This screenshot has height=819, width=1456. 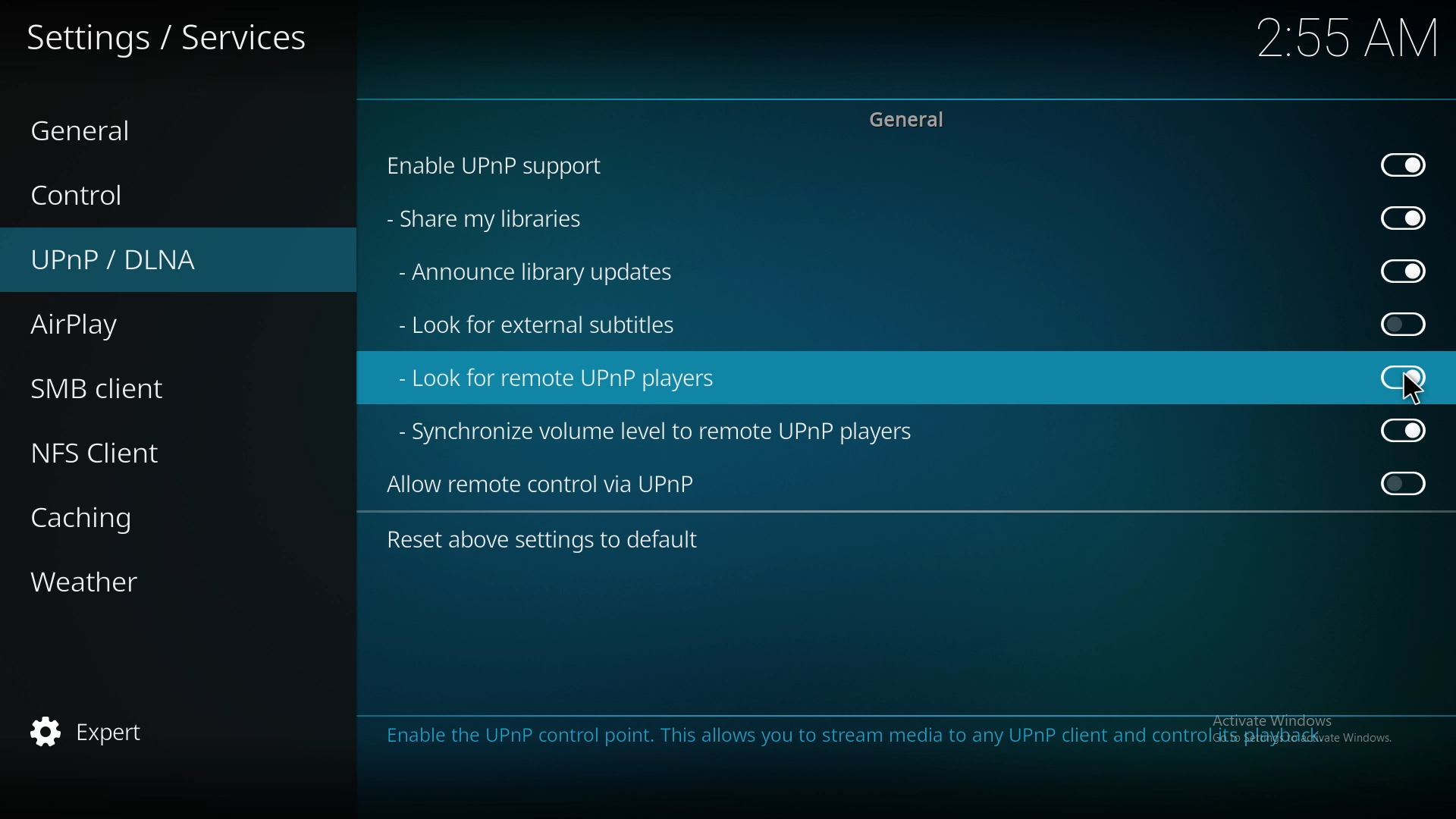 What do you see at coordinates (116, 196) in the screenshot?
I see `control` at bounding box center [116, 196].